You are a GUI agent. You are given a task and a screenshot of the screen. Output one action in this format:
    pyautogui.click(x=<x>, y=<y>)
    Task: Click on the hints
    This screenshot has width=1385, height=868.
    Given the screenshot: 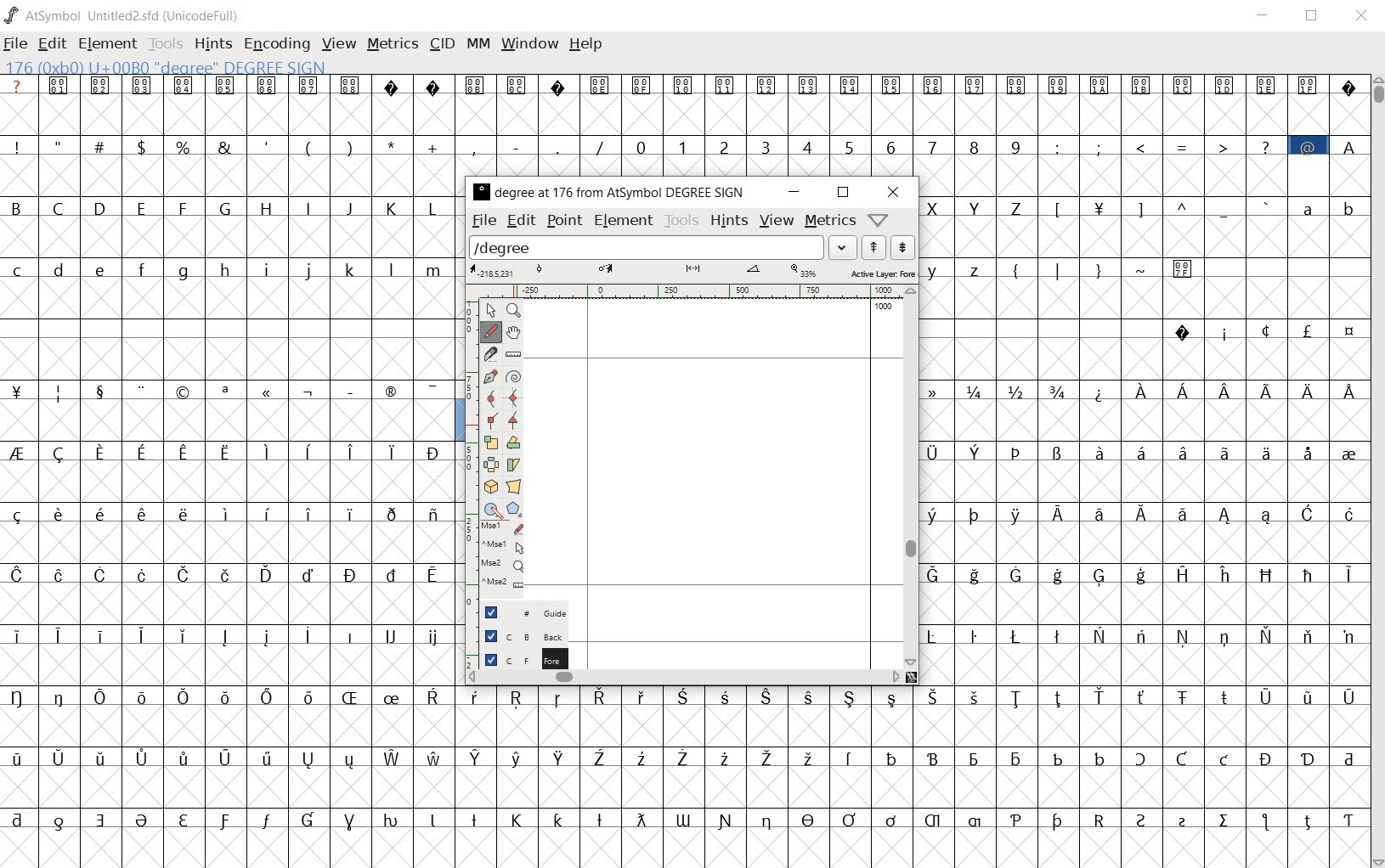 What is the action you would take?
    pyautogui.click(x=729, y=221)
    